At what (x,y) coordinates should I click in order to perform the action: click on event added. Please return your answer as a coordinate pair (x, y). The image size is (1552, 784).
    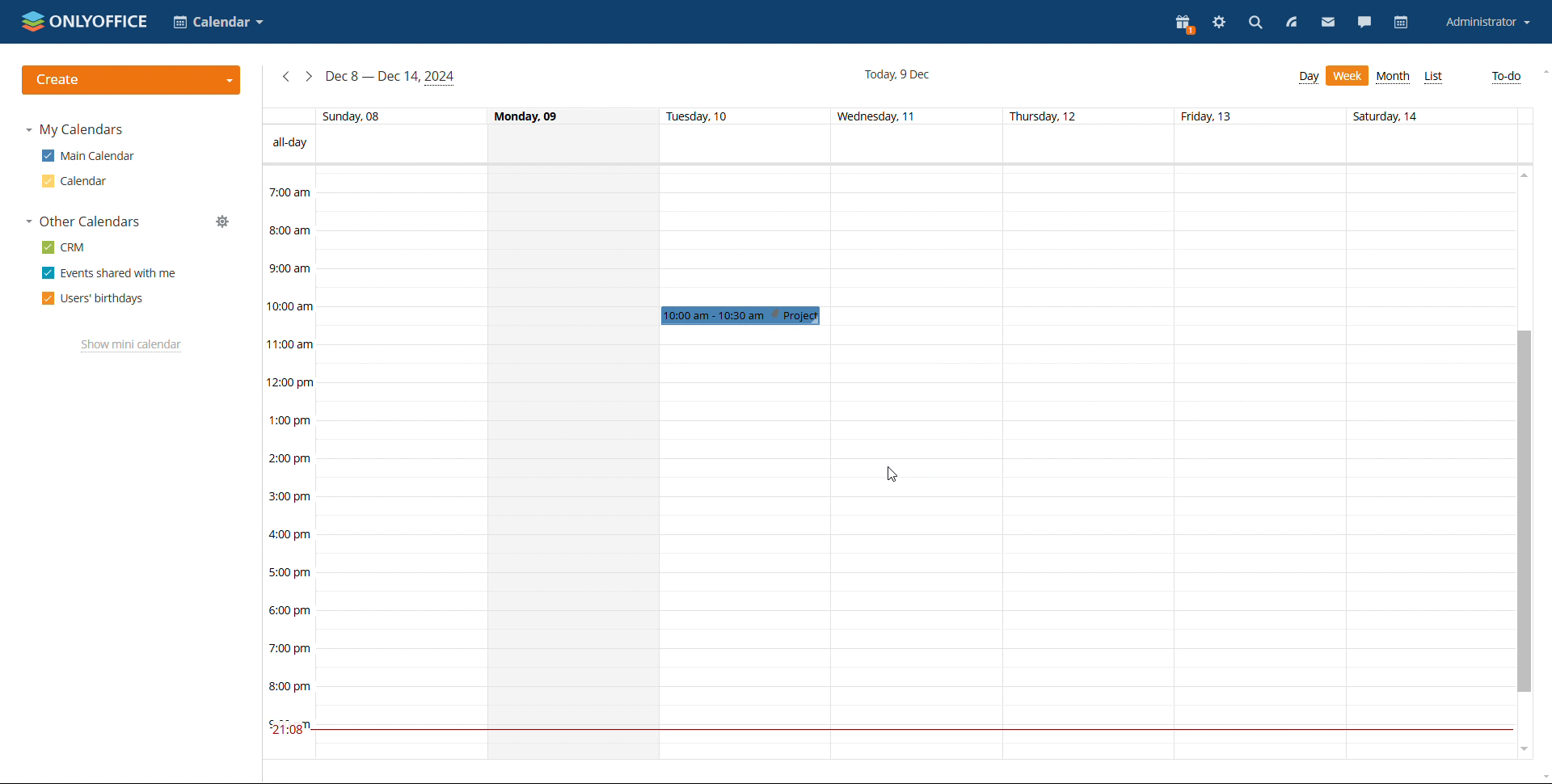
    Looking at the image, I should click on (741, 315).